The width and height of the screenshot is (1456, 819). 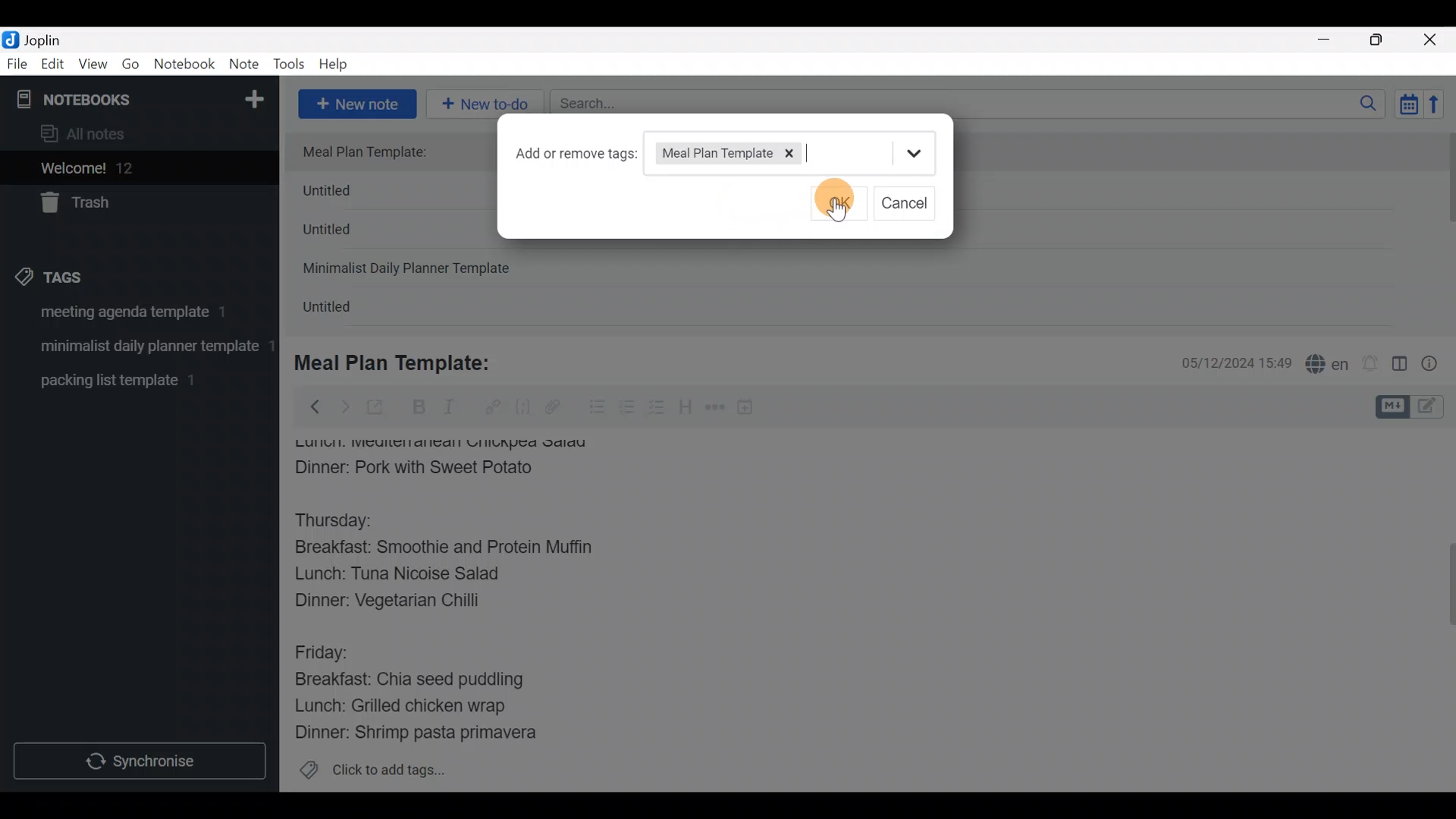 I want to click on Maximize, so click(x=1385, y=40).